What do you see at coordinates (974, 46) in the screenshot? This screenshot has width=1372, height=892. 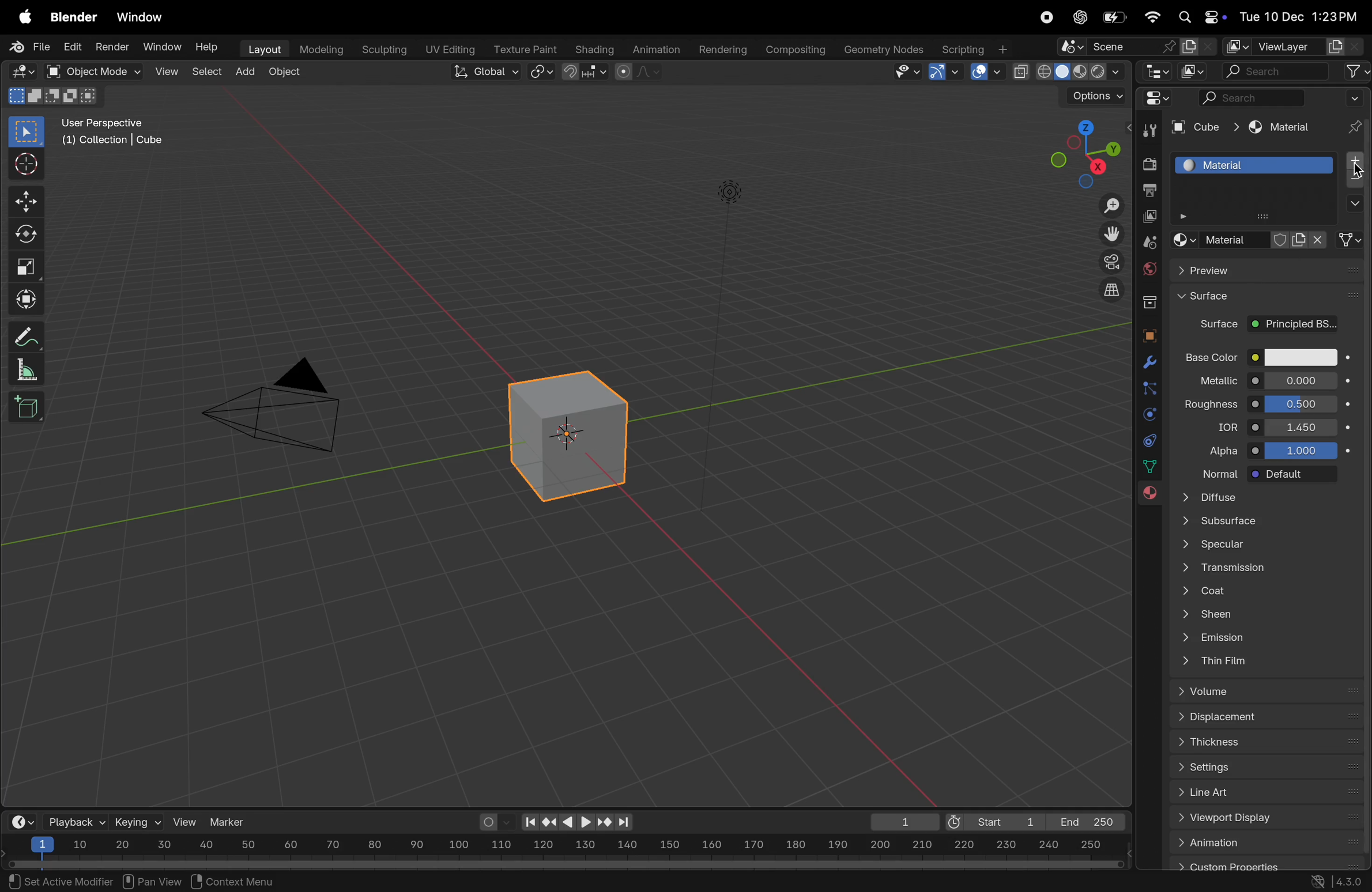 I see `Scripting` at bounding box center [974, 46].